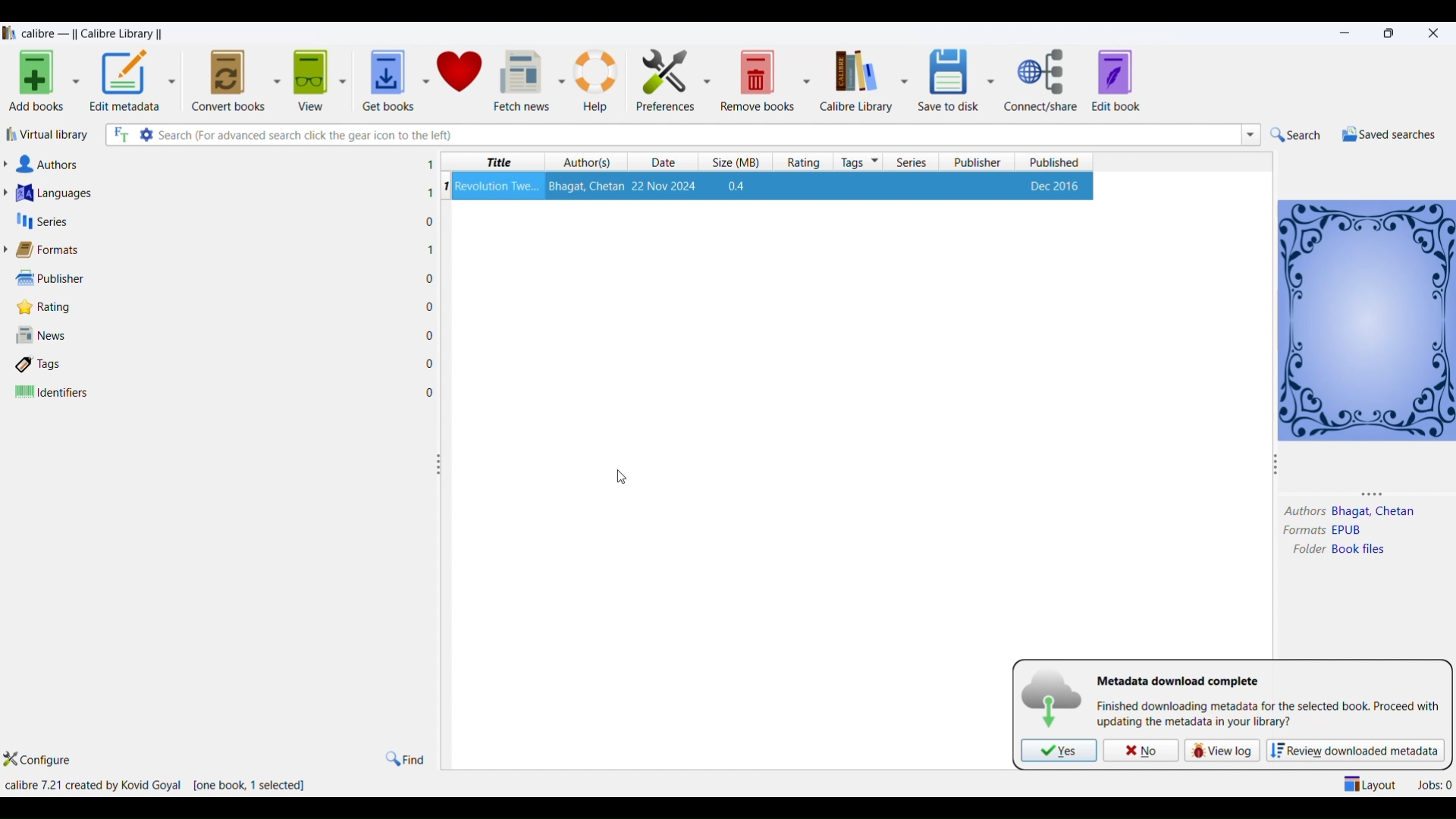 The height and width of the screenshot is (819, 1456). What do you see at coordinates (404, 758) in the screenshot?
I see `find` at bounding box center [404, 758].